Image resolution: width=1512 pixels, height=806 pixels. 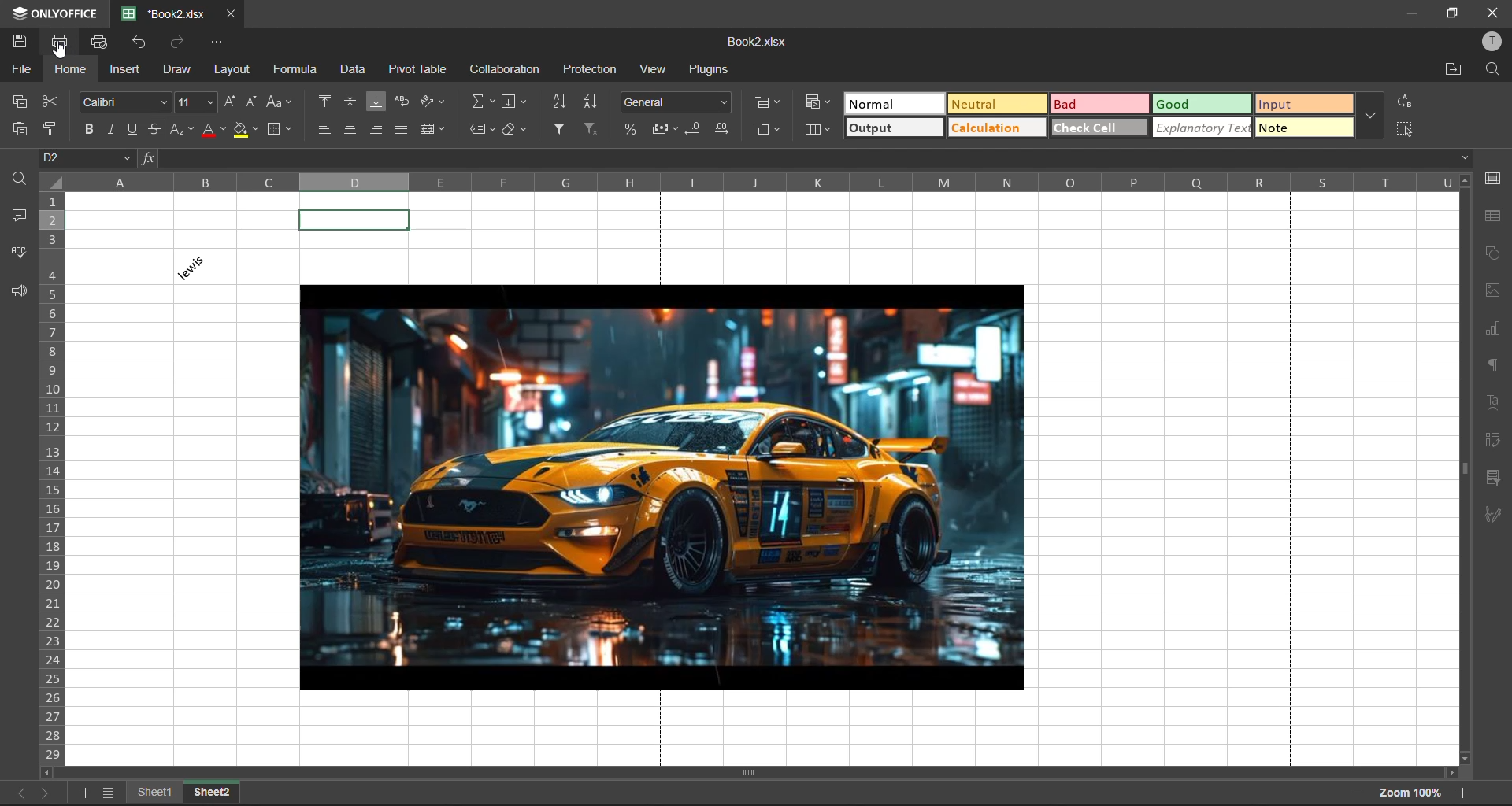 What do you see at coordinates (280, 102) in the screenshot?
I see `change case` at bounding box center [280, 102].